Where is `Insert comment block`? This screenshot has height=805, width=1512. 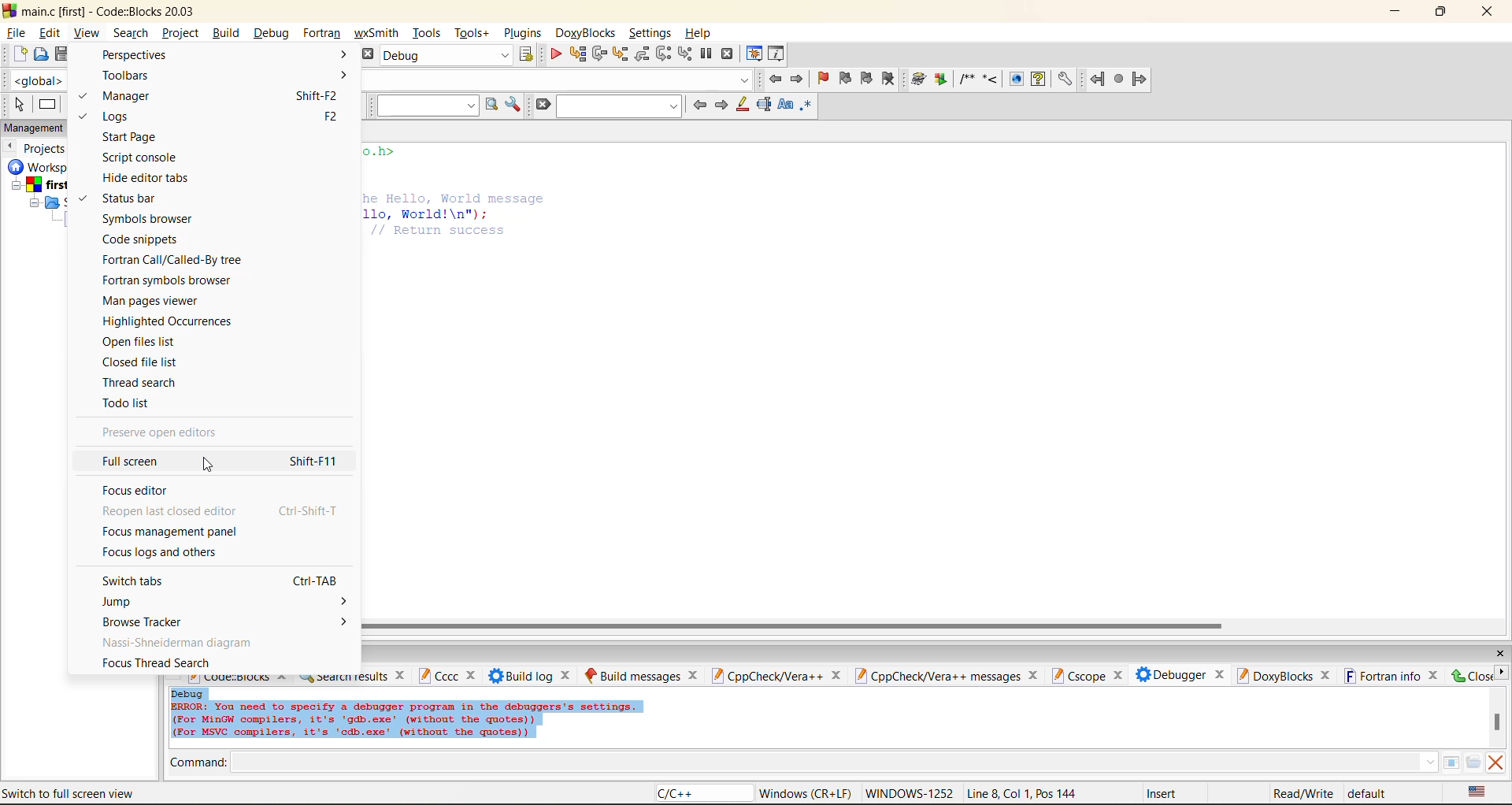 Insert comment block is located at coordinates (965, 78).